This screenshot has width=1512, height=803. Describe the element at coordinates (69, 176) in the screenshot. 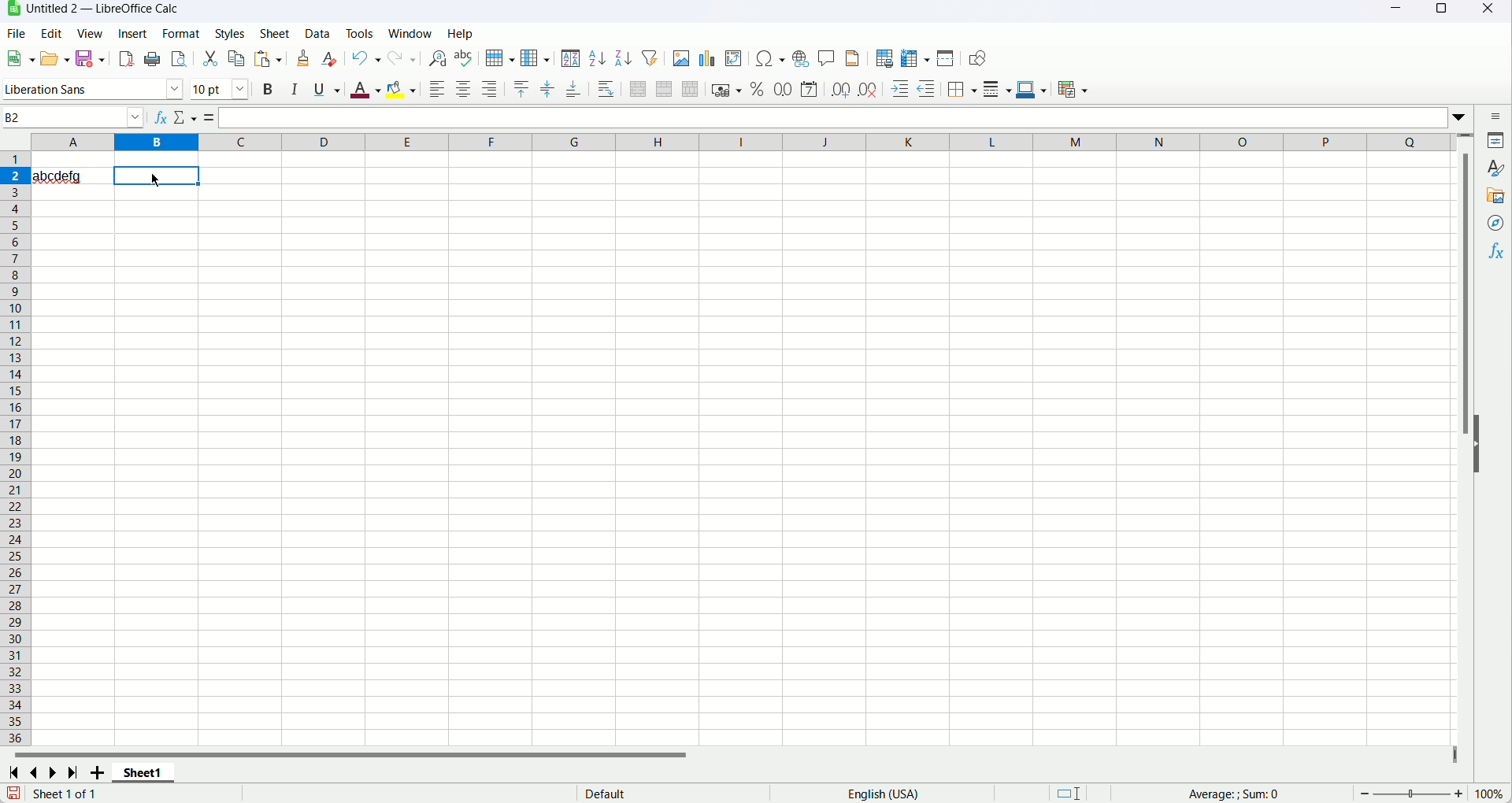

I see `abcdefg` at that location.